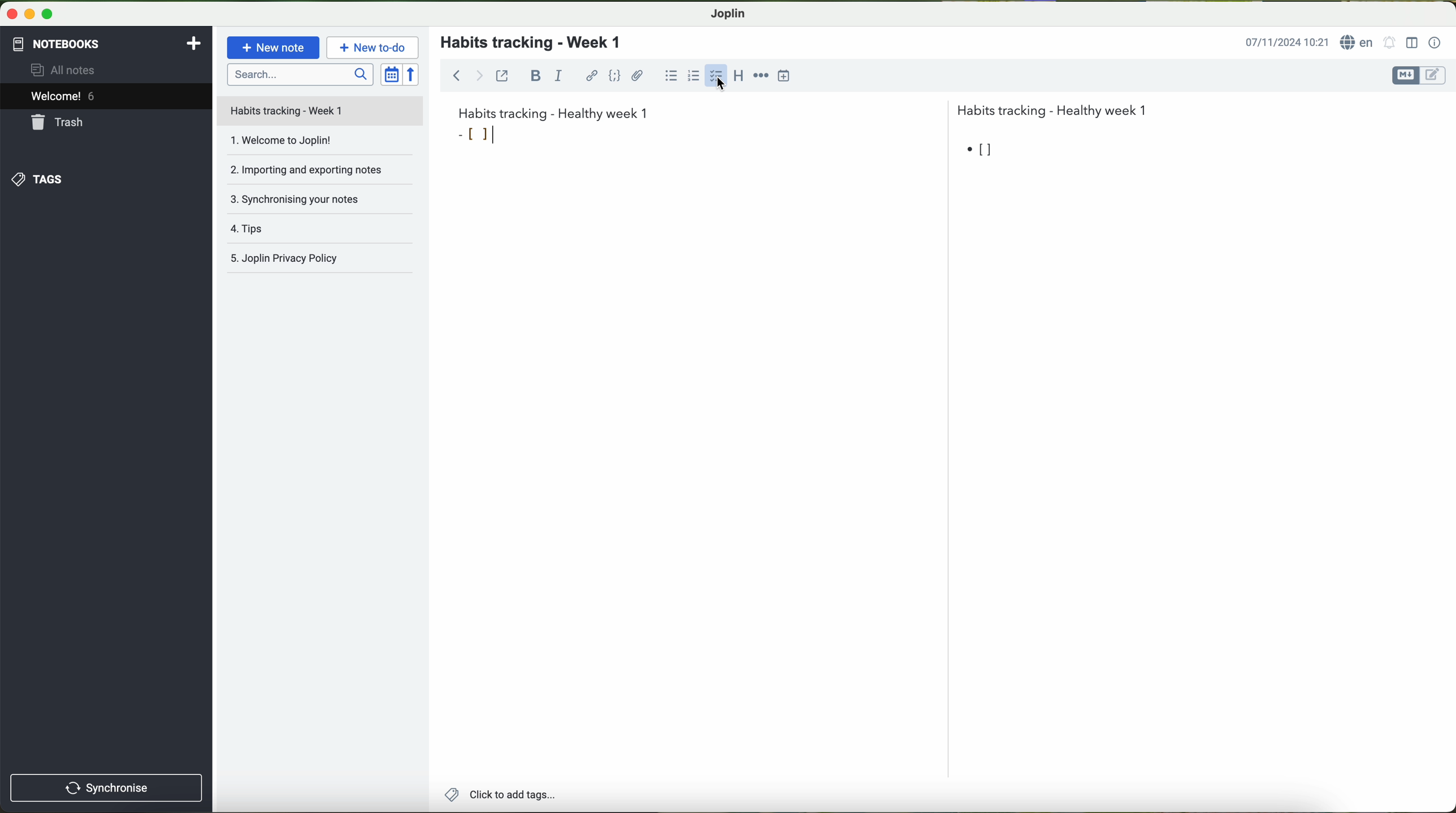 The width and height of the screenshot is (1456, 813). What do you see at coordinates (66, 69) in the screenshot?
I see `all notes` at bounding box center [66, 69].